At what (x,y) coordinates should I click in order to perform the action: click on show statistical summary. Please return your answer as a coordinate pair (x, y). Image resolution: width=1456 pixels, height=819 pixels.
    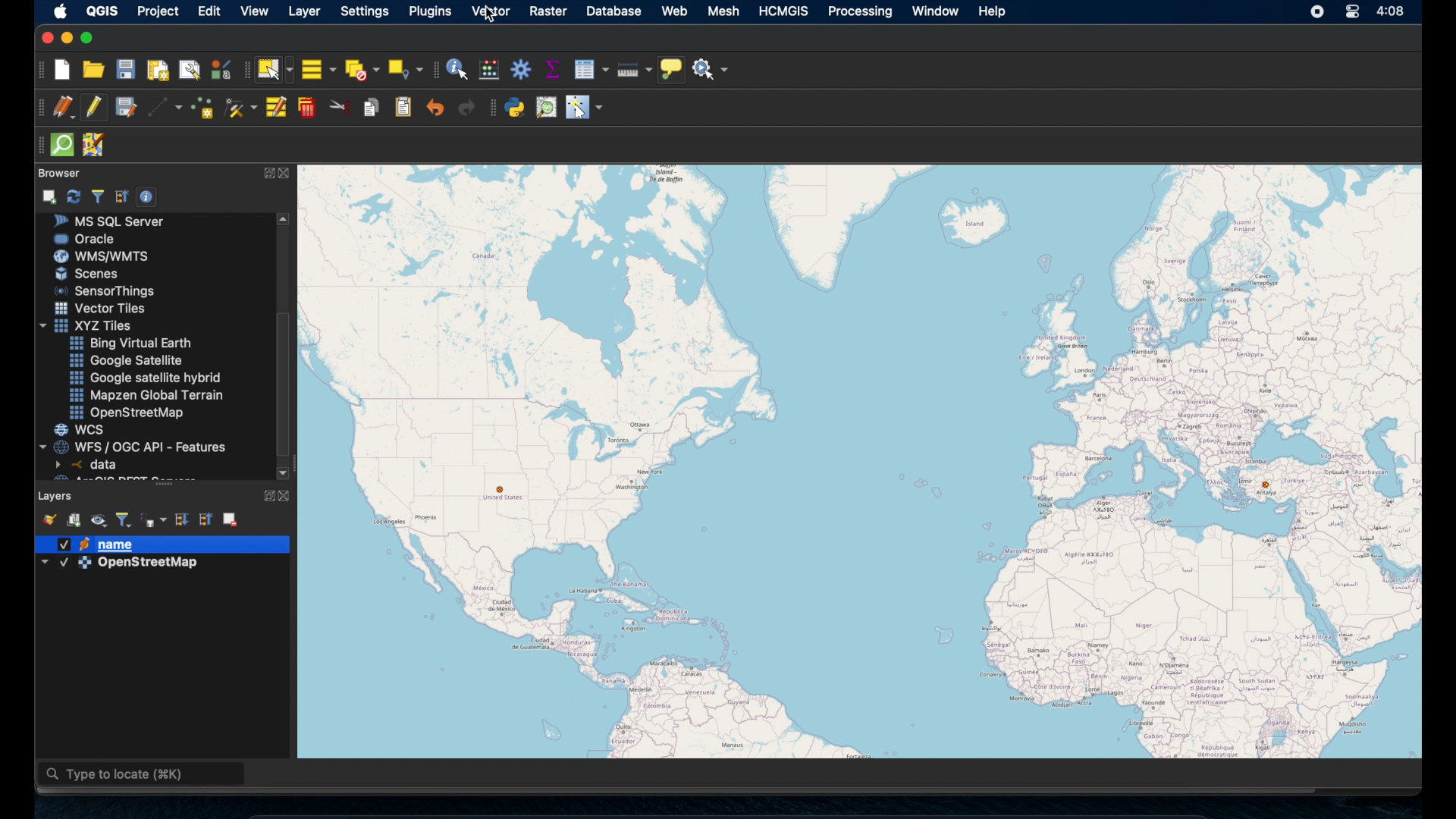
    Looking at the image, I should click on (552, 68).